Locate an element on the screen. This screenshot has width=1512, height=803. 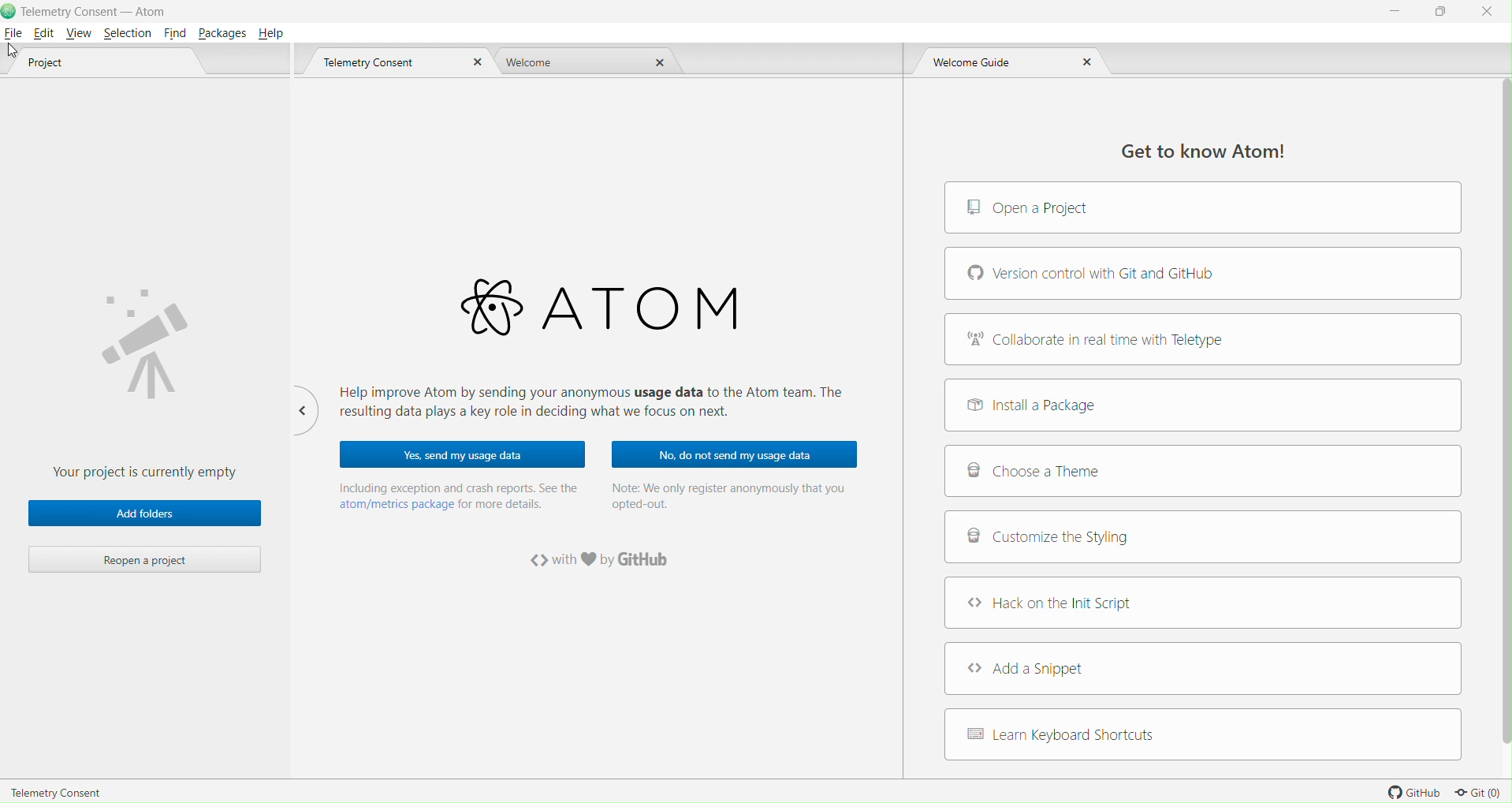
Hide/Unhide is located at coordinates (300, 409).